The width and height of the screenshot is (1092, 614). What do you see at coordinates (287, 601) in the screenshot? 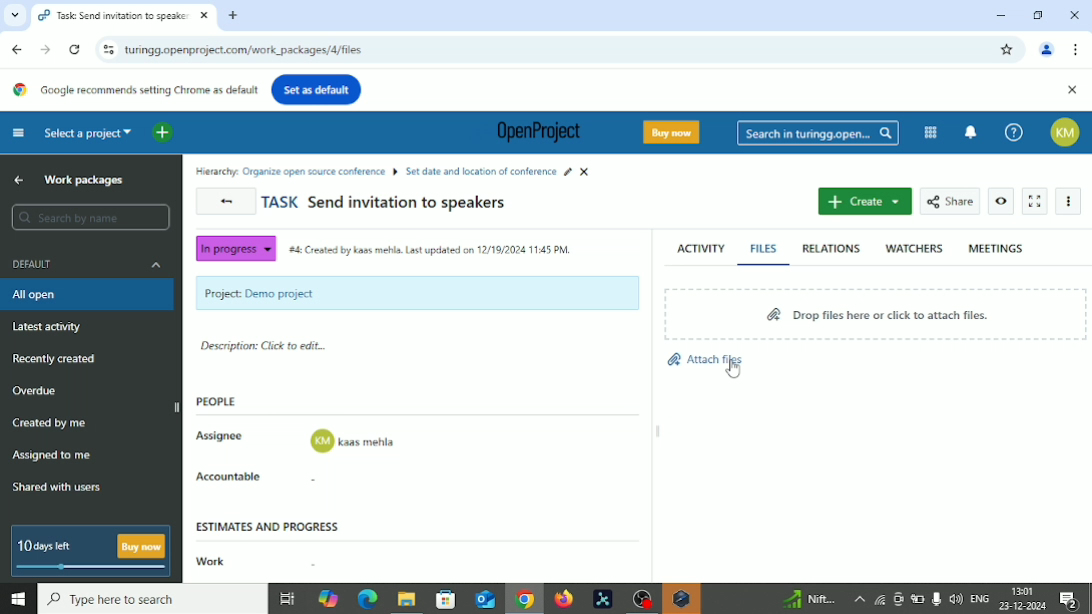
I see `Task view` at bounding box center [287, 601].